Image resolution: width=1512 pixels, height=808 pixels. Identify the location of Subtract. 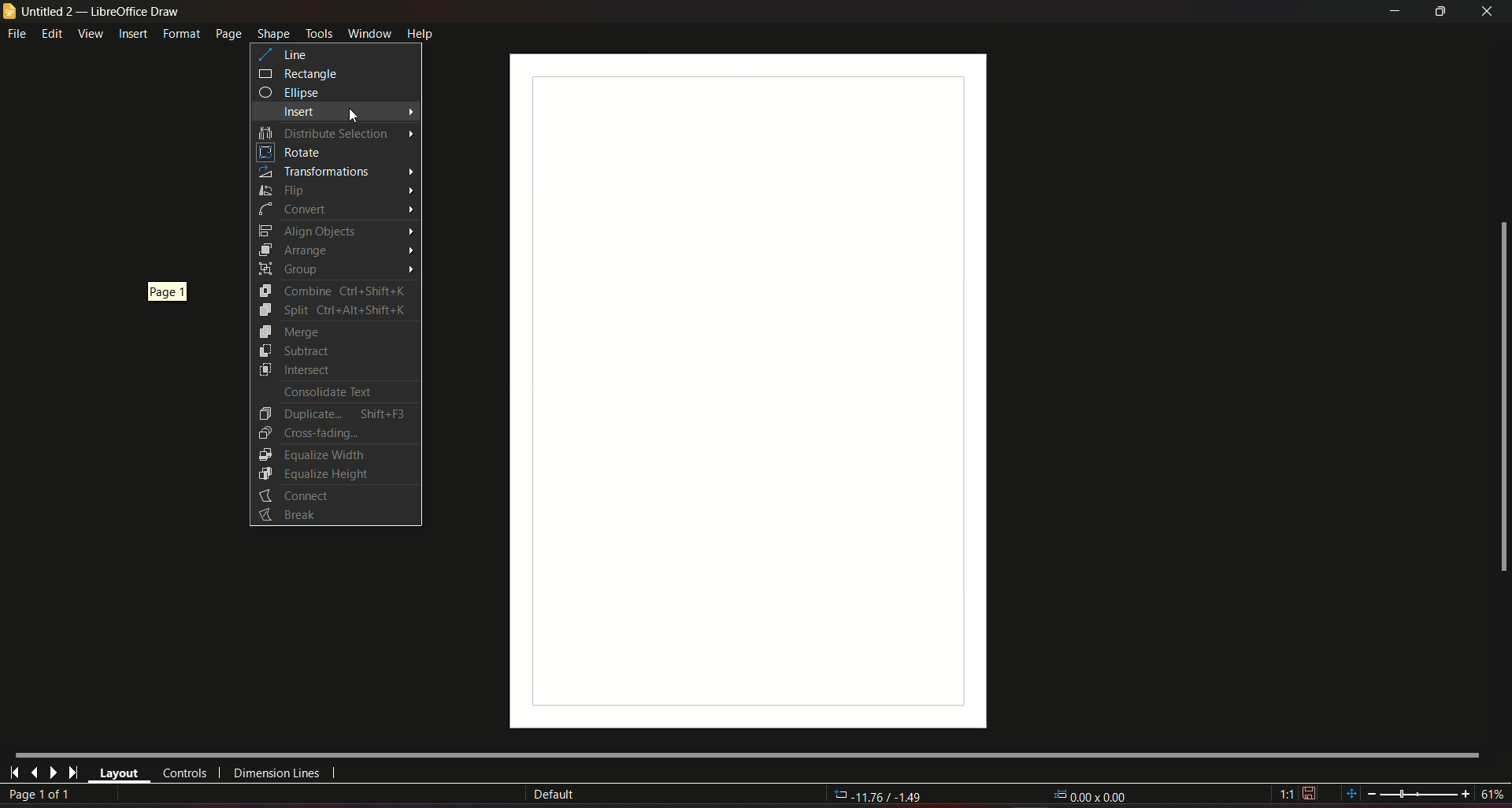
(295, 350).